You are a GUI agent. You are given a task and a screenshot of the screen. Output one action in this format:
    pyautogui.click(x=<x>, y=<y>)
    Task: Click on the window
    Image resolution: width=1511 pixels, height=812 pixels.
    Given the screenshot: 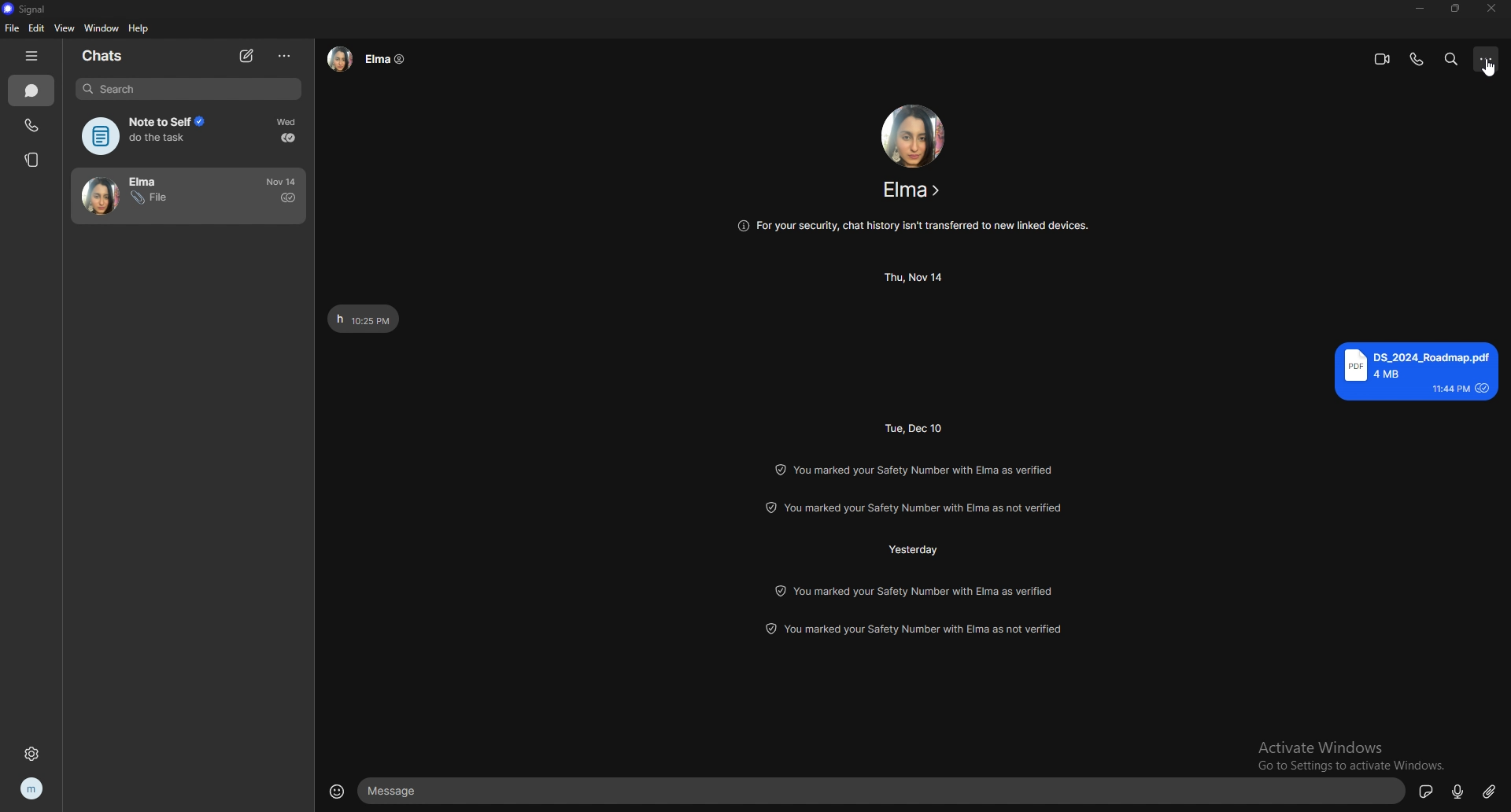 What is the action you would take?
    pyautogui.click(x=101, y=28)
    